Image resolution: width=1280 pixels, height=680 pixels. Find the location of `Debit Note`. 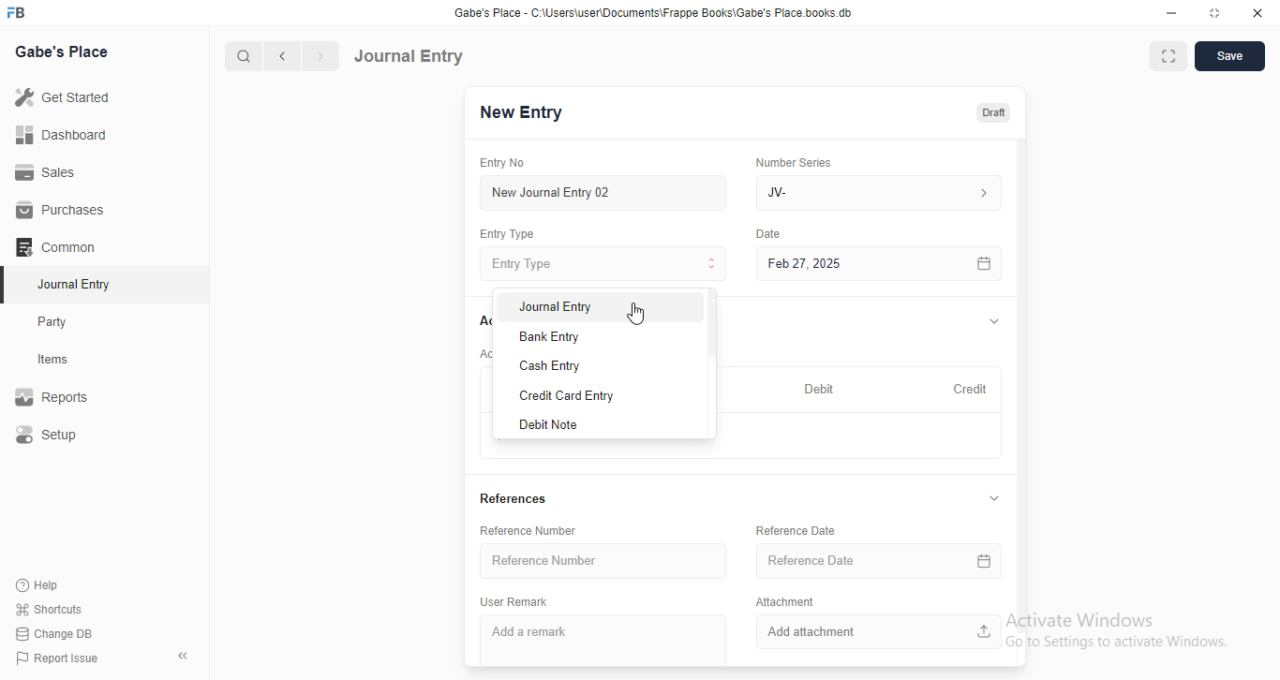

Debit Note is located at coordinates (551, 424).